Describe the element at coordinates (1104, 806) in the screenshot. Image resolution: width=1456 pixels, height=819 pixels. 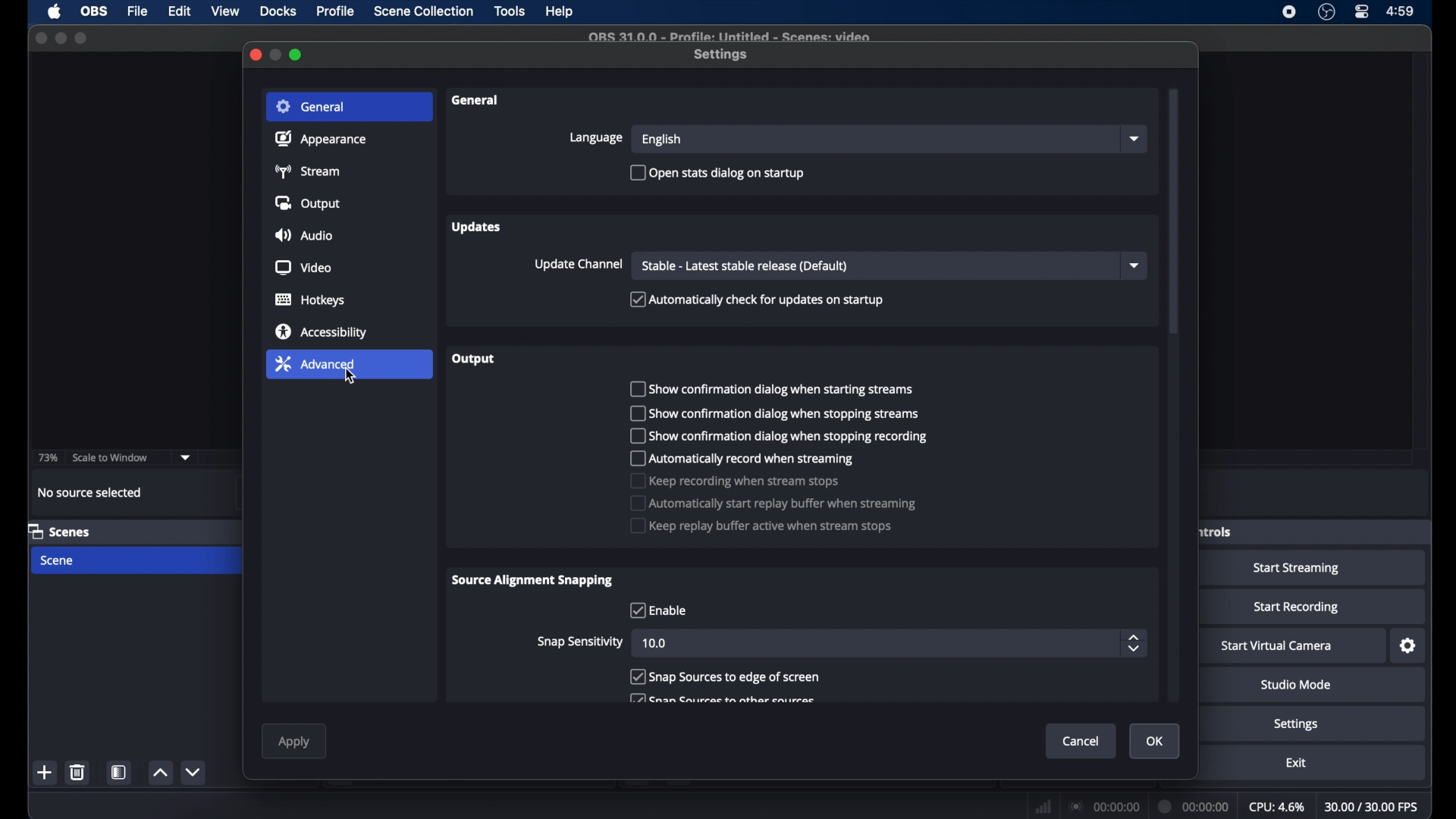
I see `00:00:00` at that location.